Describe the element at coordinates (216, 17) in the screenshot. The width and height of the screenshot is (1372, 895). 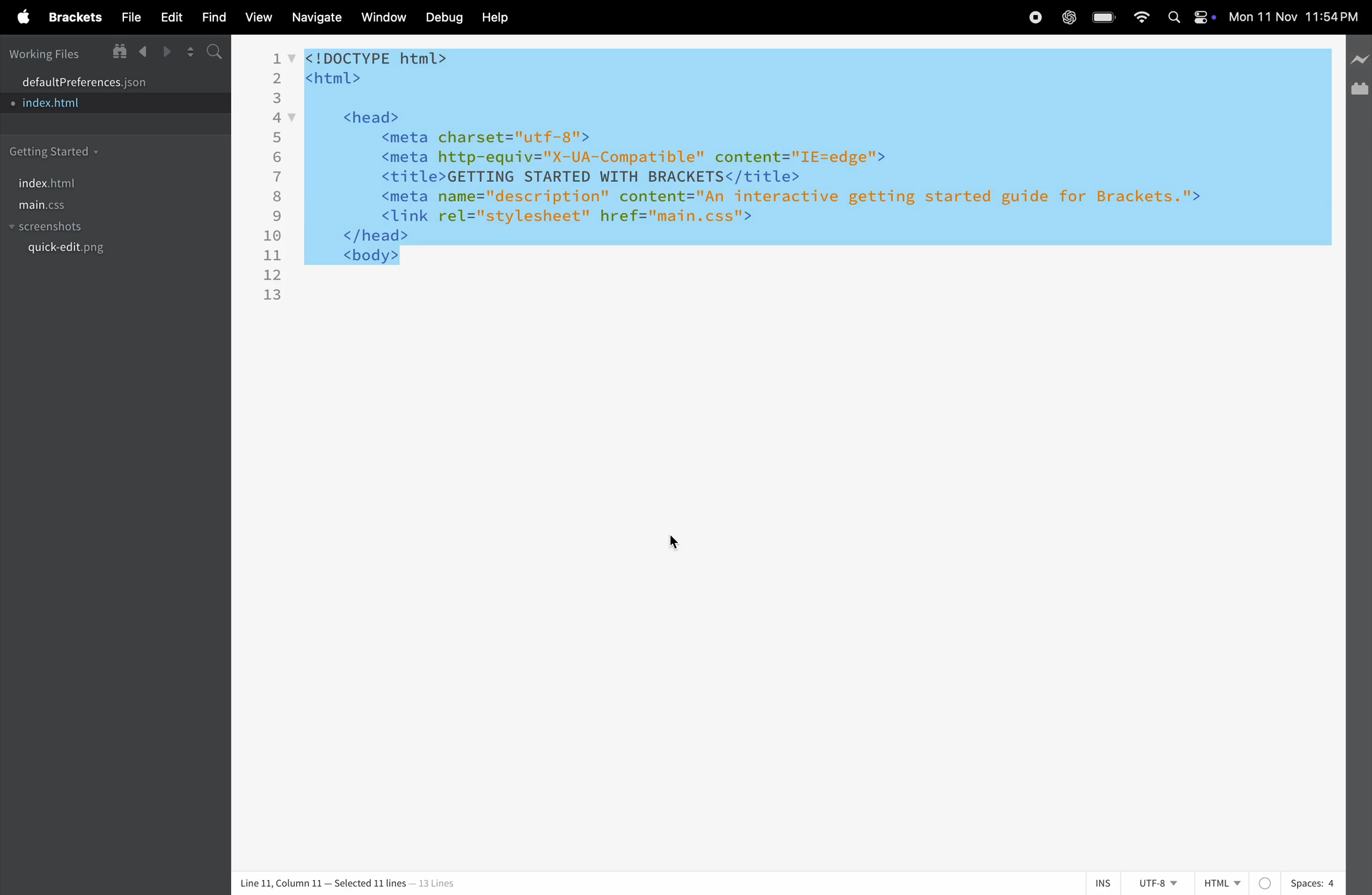
I see `find` at that location.